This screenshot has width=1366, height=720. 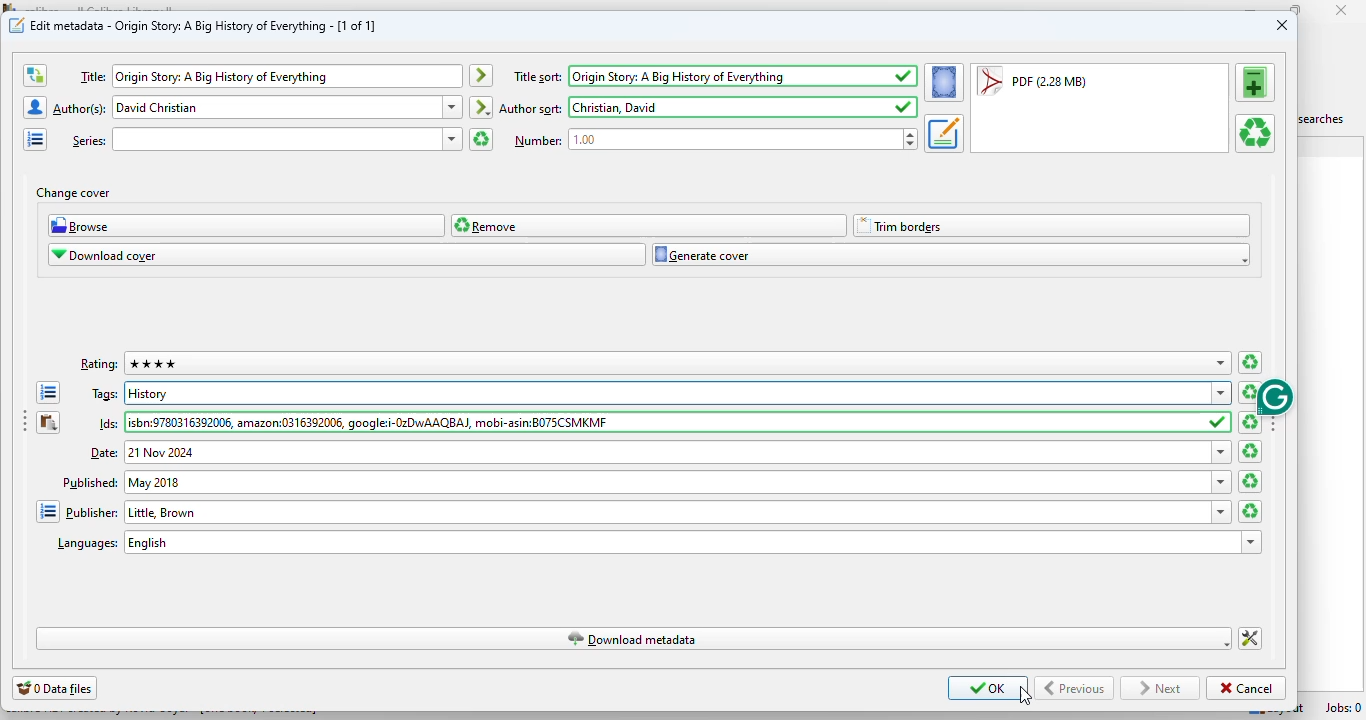 I want to click on set the metadate for the book from the current format, so click(x=943, y=133).